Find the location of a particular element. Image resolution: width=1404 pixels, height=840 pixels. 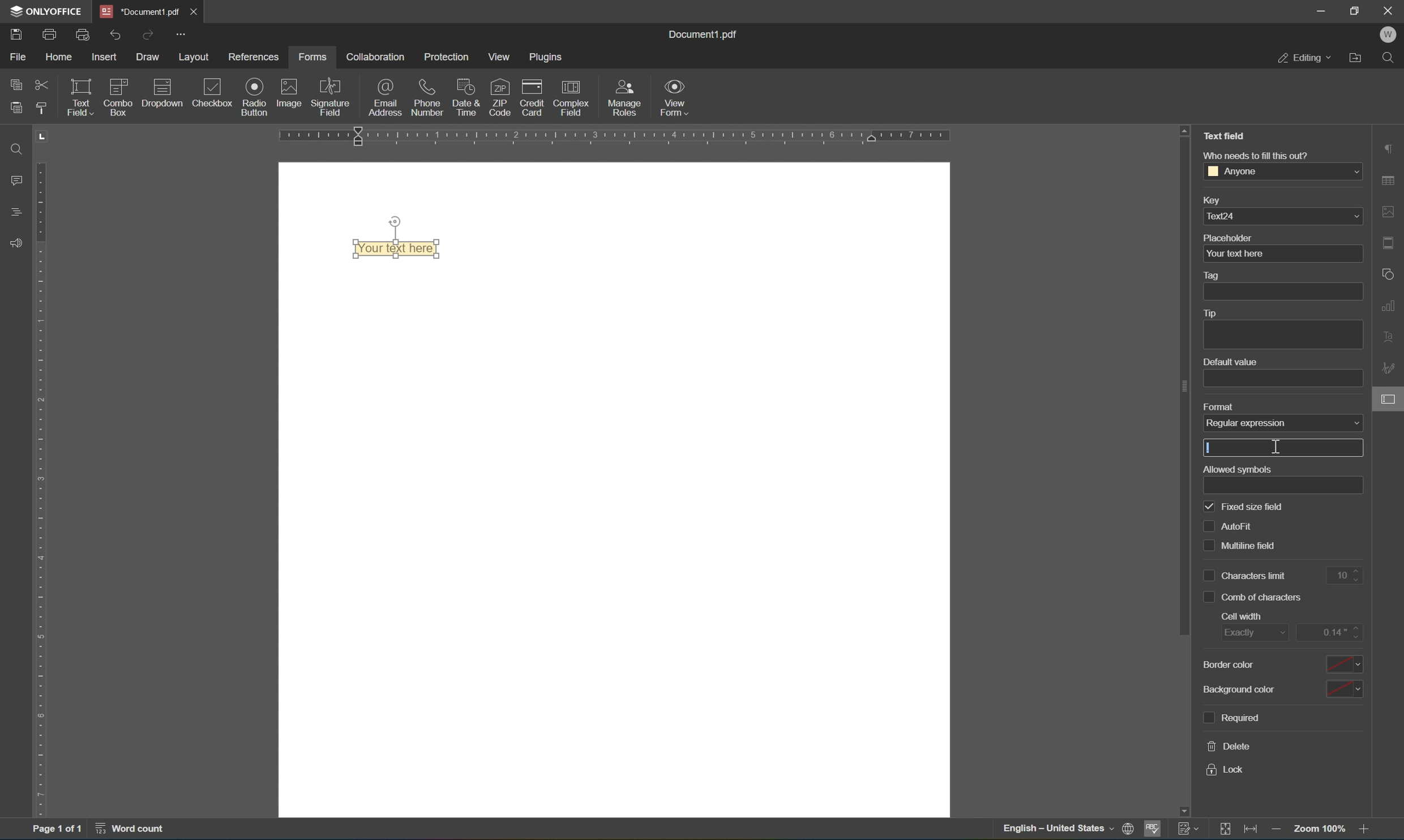

edit cell width is located at coordinates (1330, 632).